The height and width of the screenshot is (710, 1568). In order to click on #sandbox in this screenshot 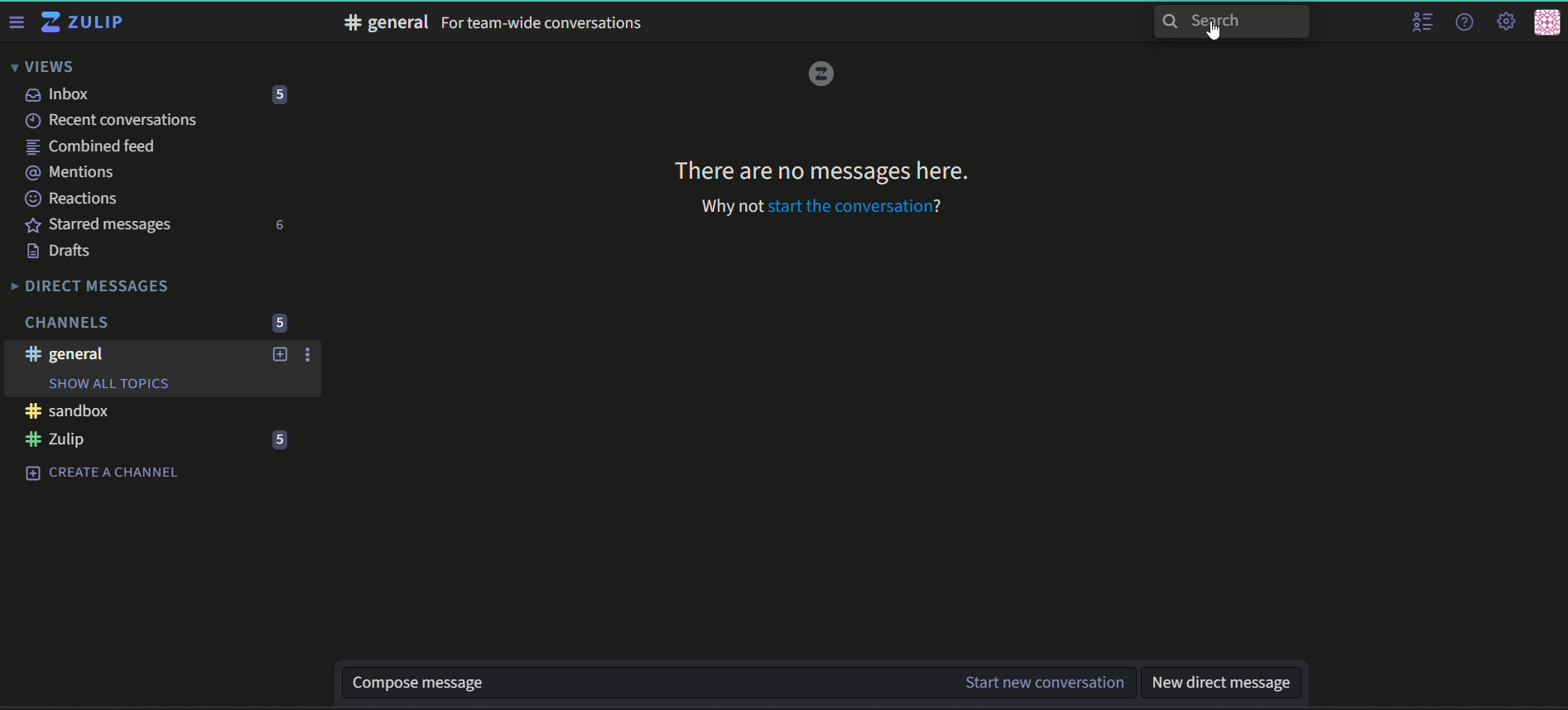, I will do `click(66, 411)`.